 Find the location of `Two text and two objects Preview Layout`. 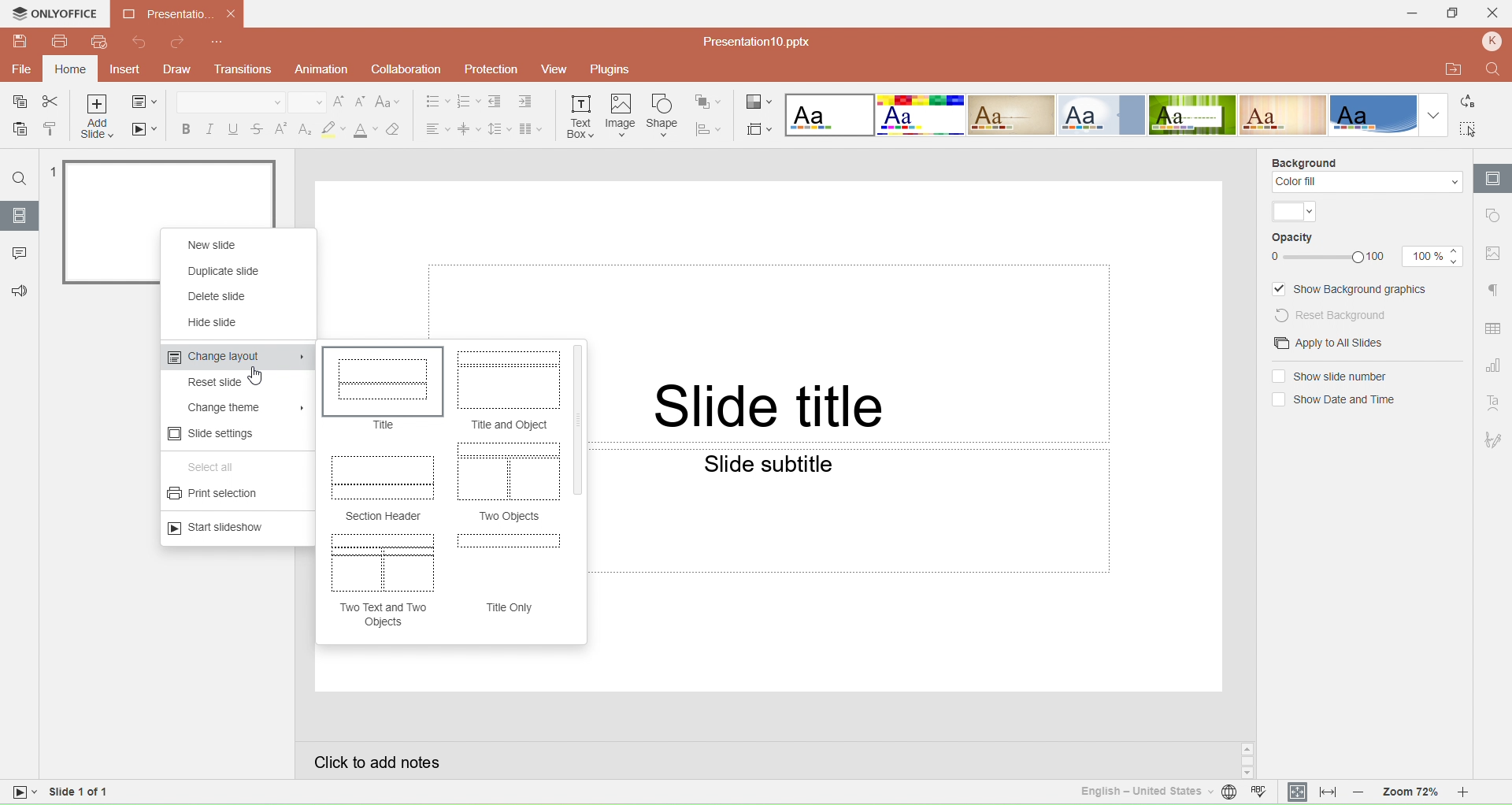

Two text and two objects Preview Layout is located at coordinates (383, 563).